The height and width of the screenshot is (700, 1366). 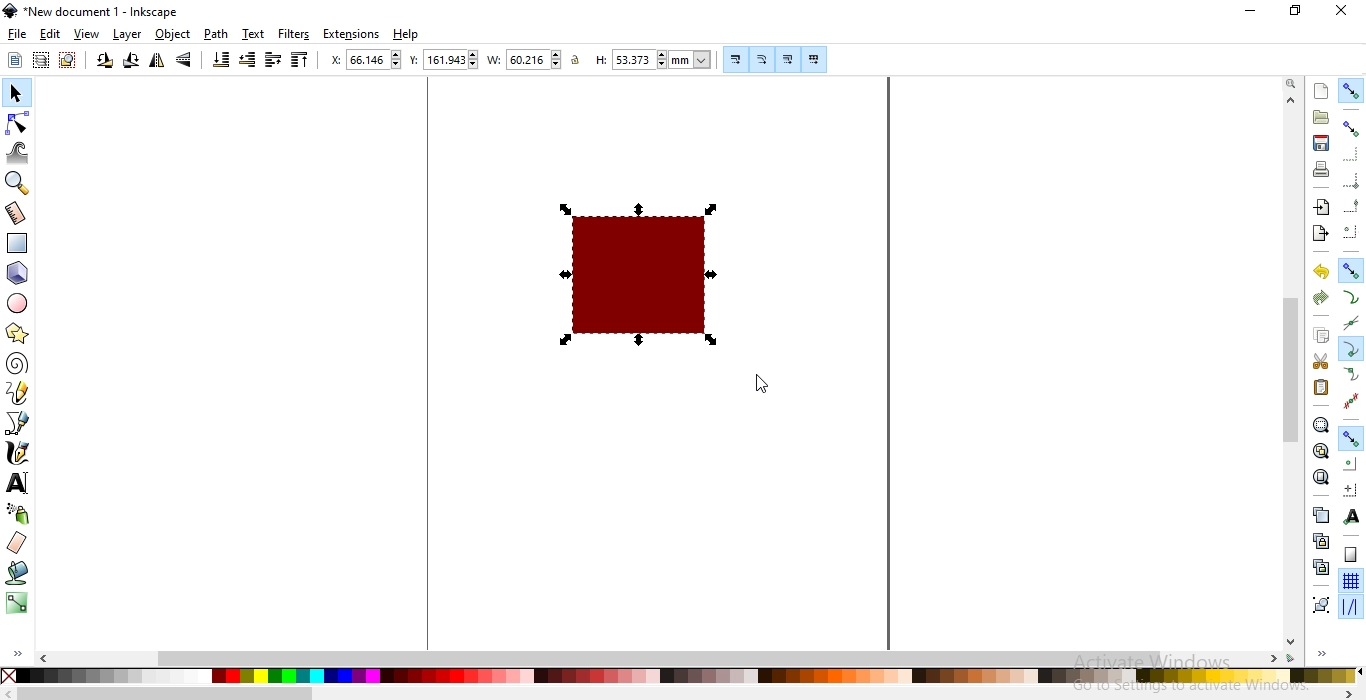 I want to click on scale thestoke width by the same proportion, so click(x=734, y=59).